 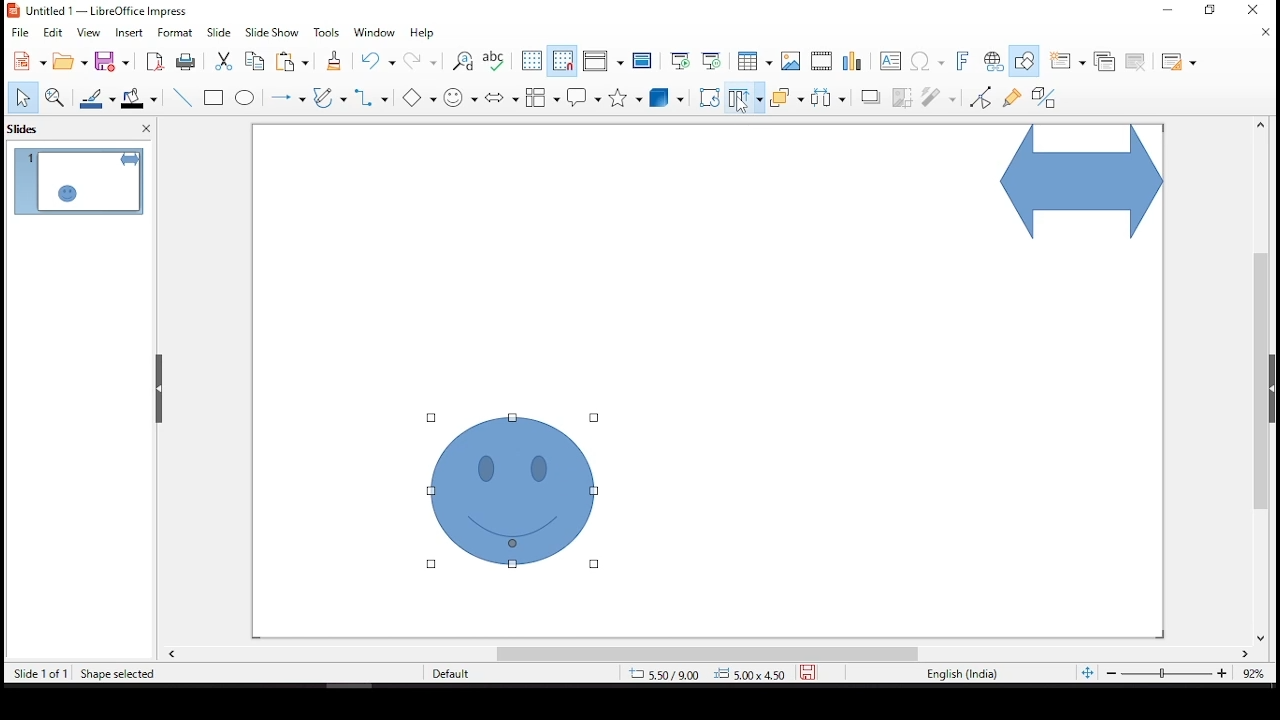 What do you see at coordinates (622, 97) in the screenshot?
I see `stars and banners` at bounding box center [622, 97].